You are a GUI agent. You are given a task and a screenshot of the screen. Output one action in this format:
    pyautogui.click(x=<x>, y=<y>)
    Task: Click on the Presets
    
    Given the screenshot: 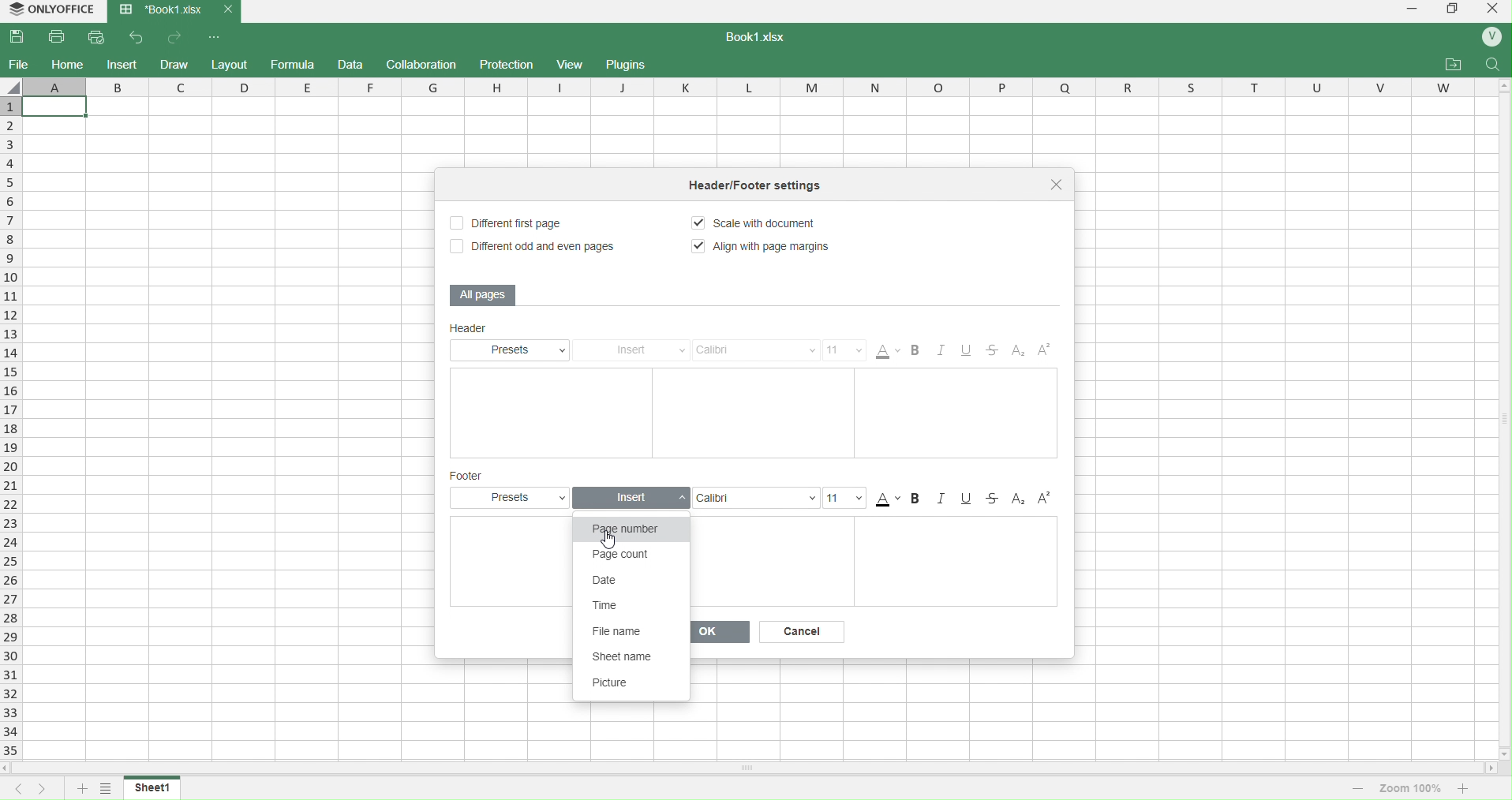 What is the action you would take?
    pyautogui.click(x=515, y=497)
    